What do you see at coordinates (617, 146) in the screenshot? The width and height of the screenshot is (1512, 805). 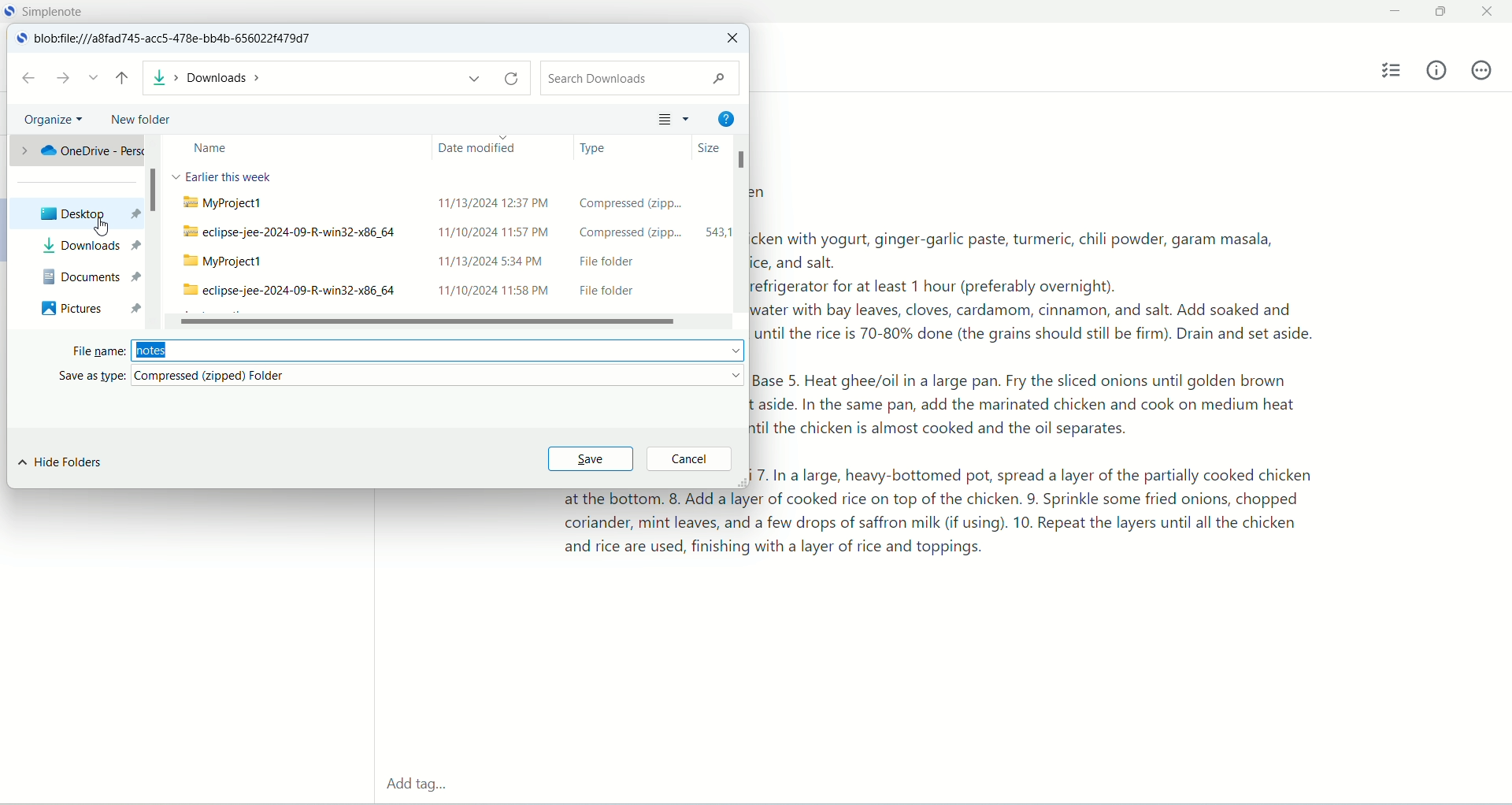 I see `type` at bounding box center [617, 146].